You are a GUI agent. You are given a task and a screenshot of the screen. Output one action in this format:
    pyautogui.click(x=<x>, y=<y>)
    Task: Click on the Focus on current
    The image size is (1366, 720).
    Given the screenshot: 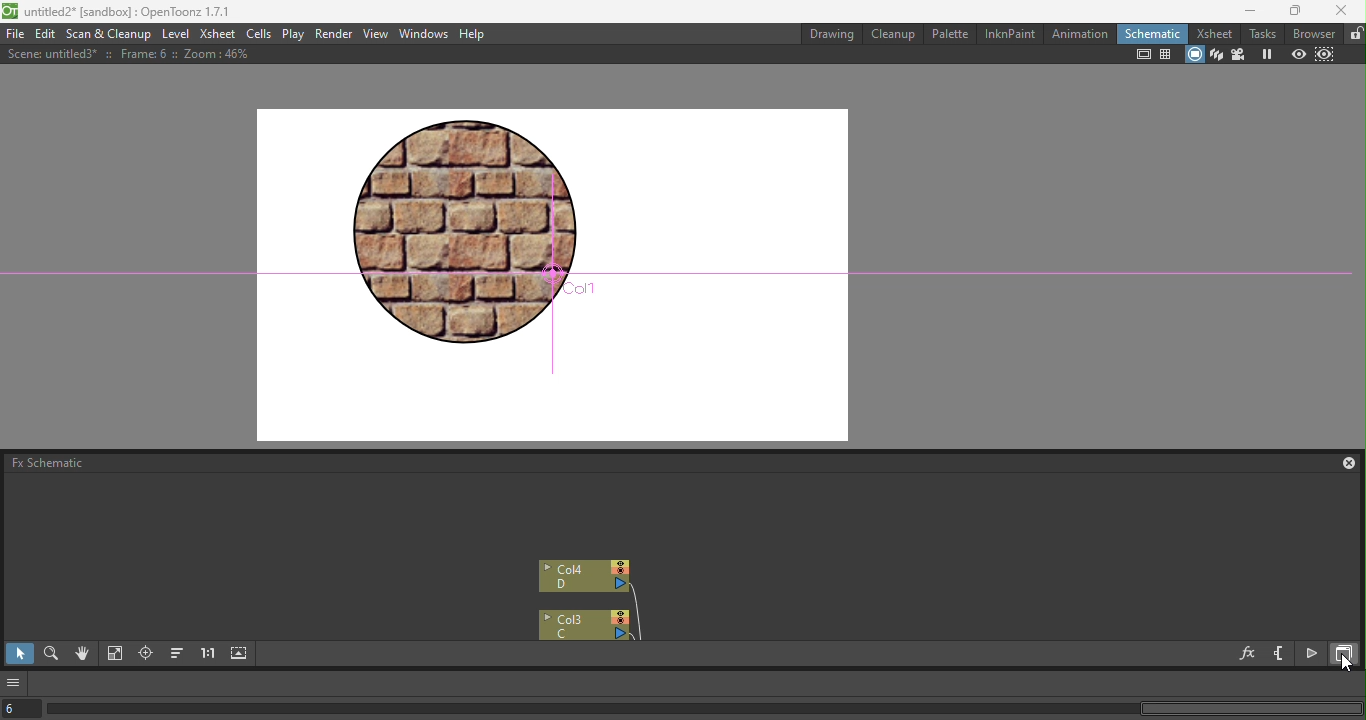 What is the action you would take?
    pyautogui.click(x=145, y=655)
    